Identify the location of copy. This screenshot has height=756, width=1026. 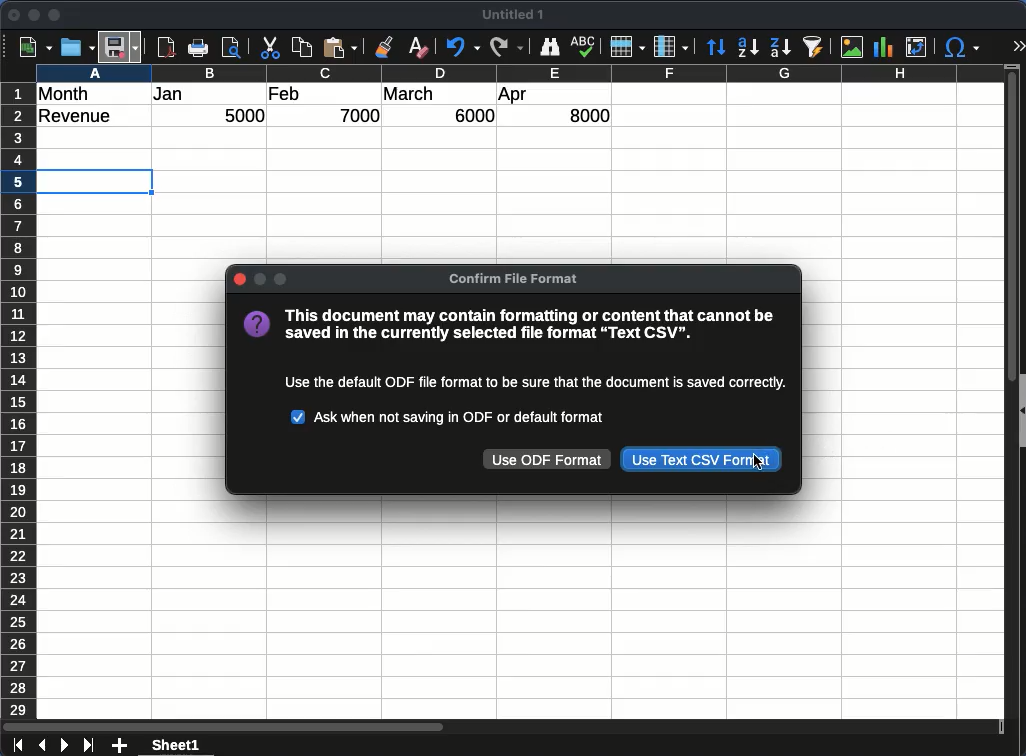
(303, 48).